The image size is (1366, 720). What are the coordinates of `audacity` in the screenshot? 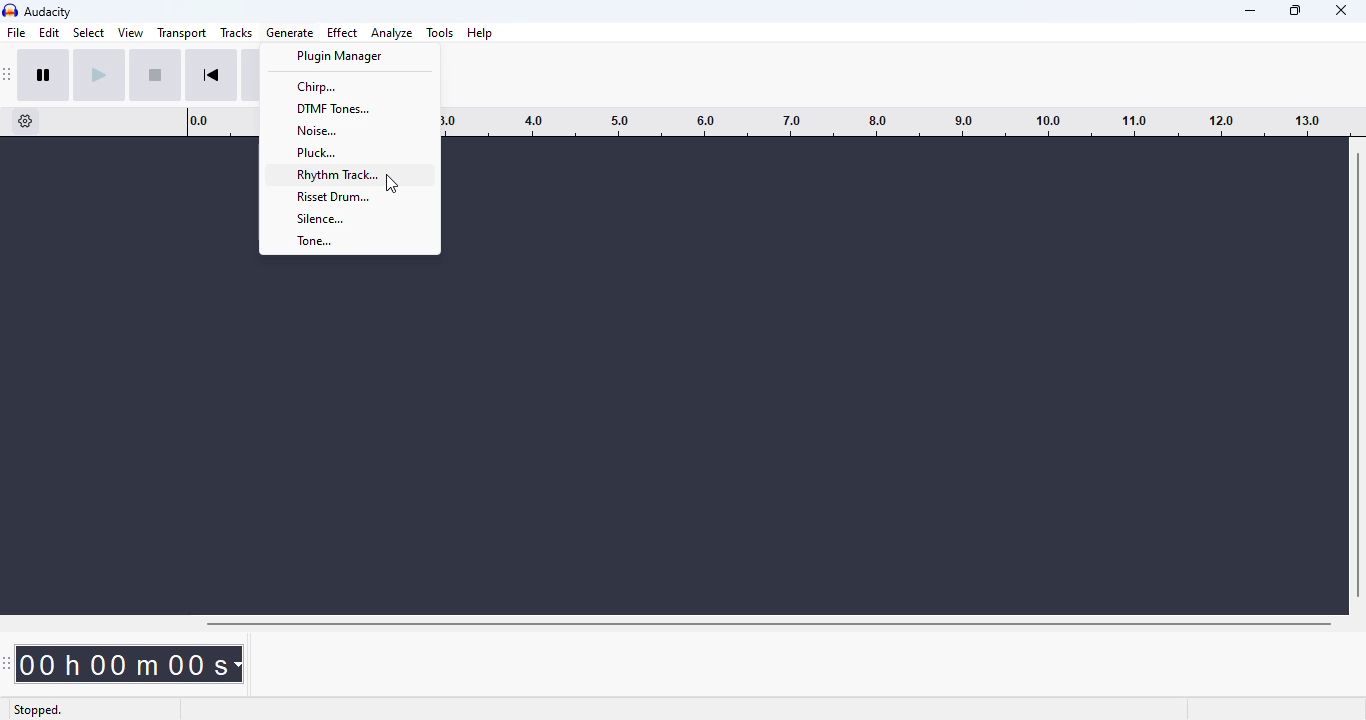 It's located at (49, 11).